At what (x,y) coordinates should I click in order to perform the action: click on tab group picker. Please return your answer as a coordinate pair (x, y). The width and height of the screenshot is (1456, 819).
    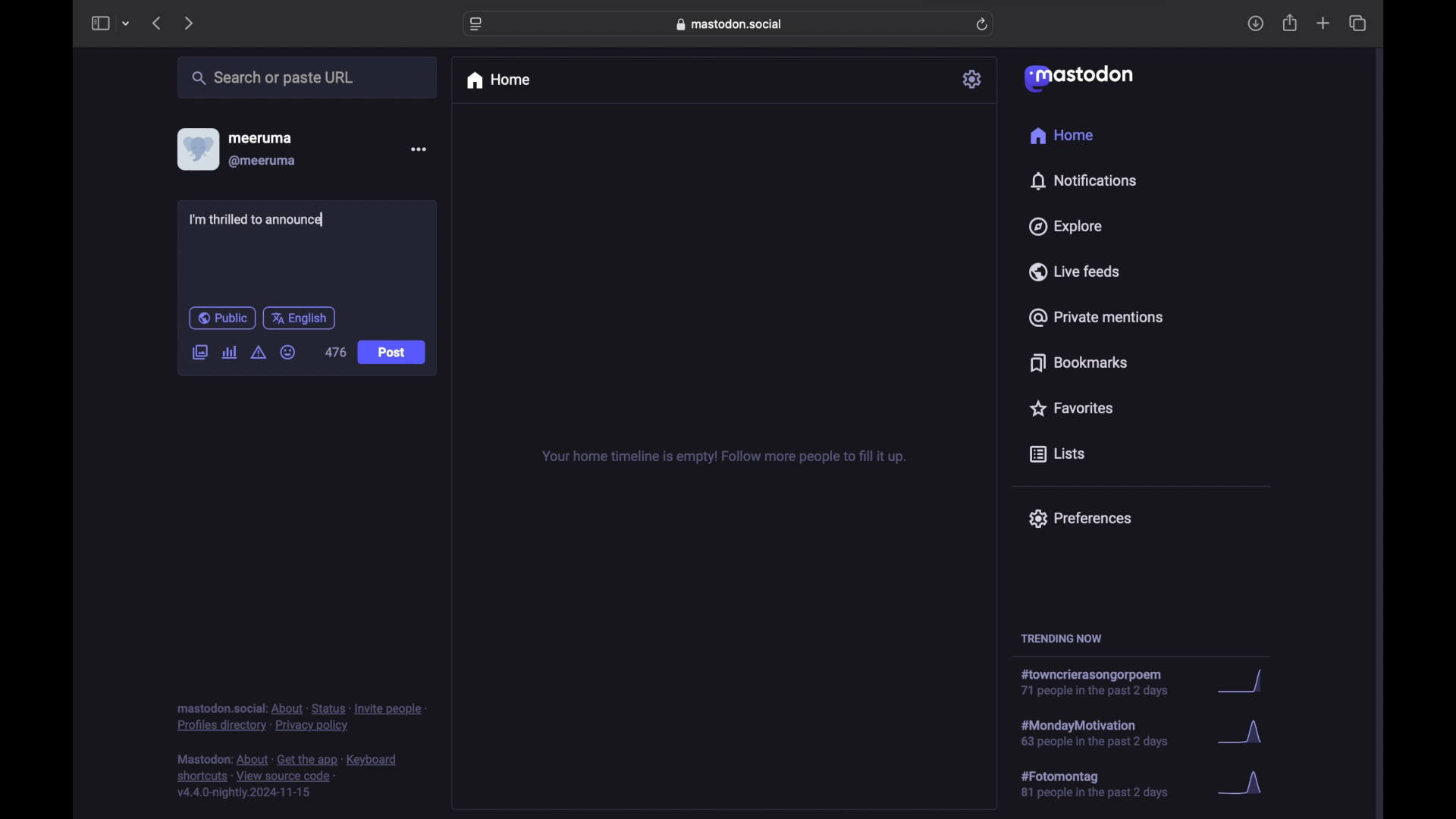
    Looking at the image, I should click on (127, 23).